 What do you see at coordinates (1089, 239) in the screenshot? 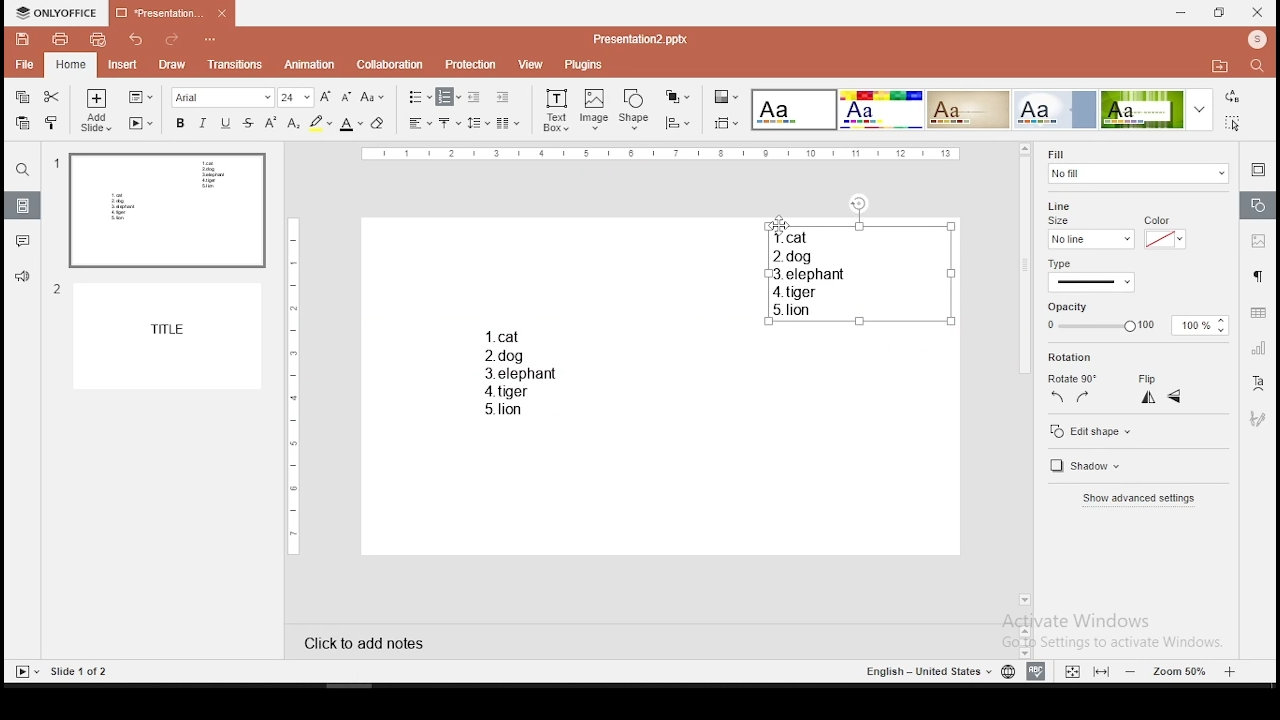
I see `line size` at bounding box center [1089, 239].